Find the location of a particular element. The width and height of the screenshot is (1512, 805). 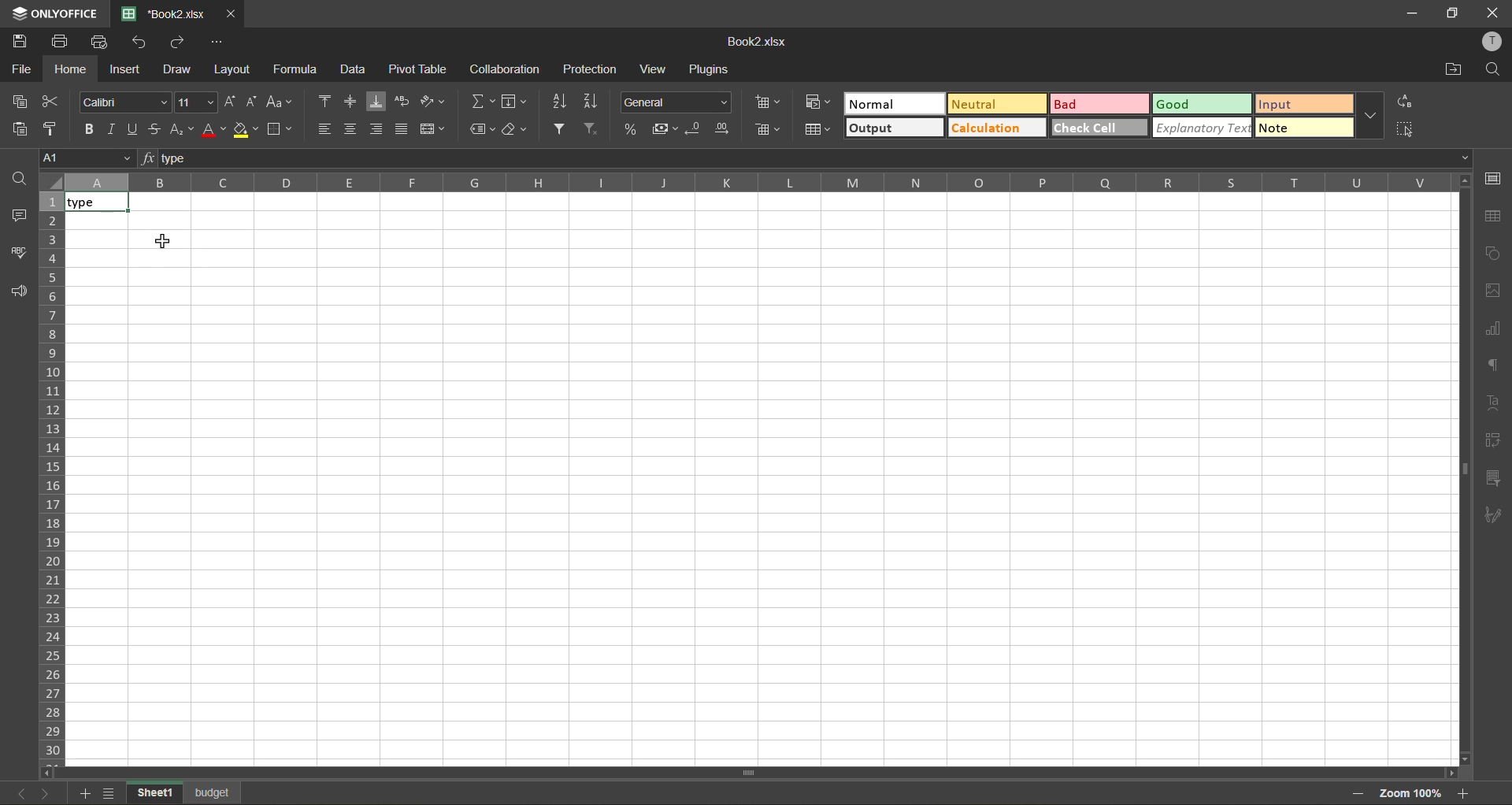

undo is located at coordinates (140, 43).